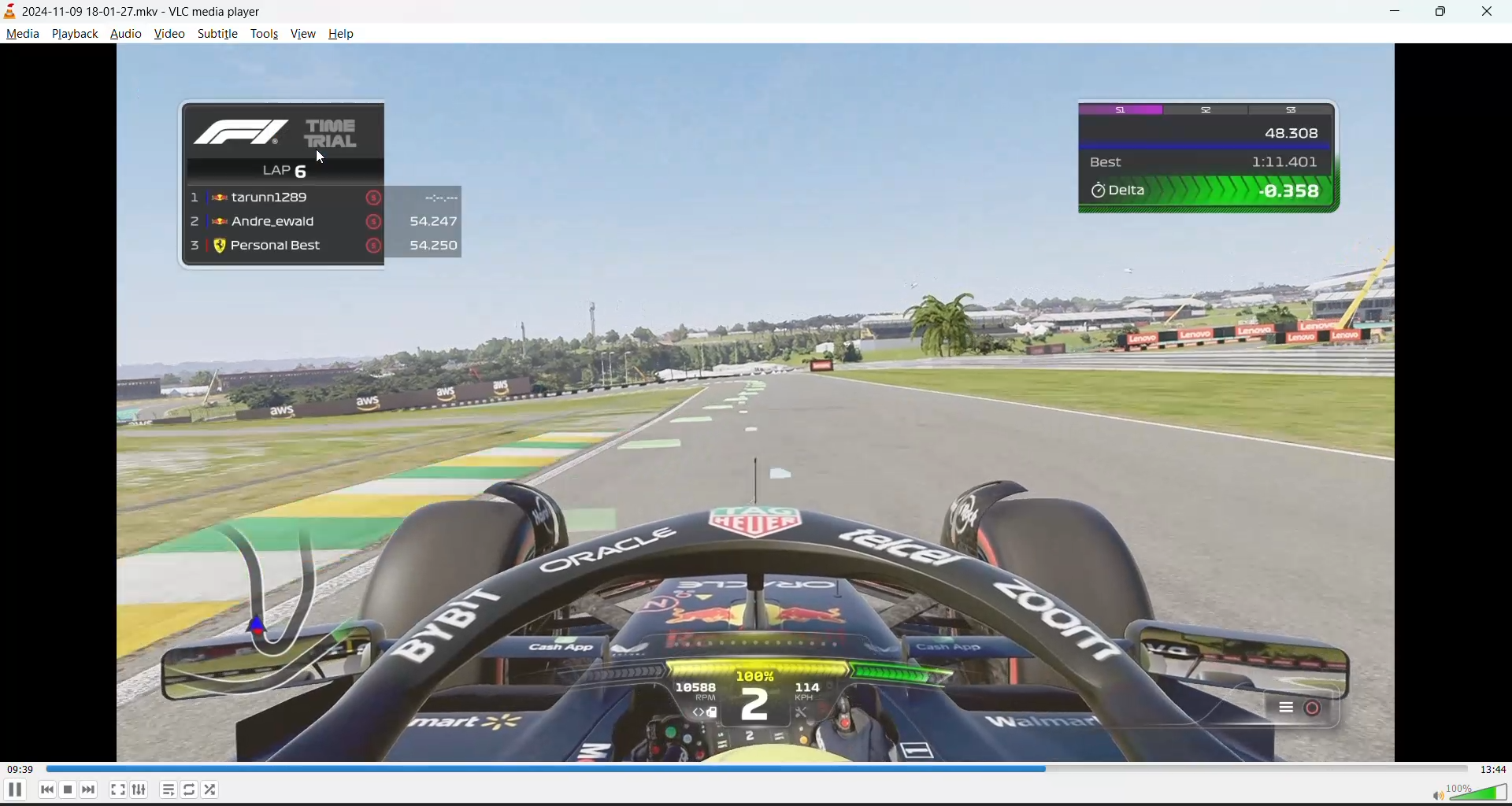 Image resolution: width=1512 pixels, height=806 pixels. What do you see at coordinates (220, 35) in the screenshot?
I see `subtitle` at bounding box center [220, 35].